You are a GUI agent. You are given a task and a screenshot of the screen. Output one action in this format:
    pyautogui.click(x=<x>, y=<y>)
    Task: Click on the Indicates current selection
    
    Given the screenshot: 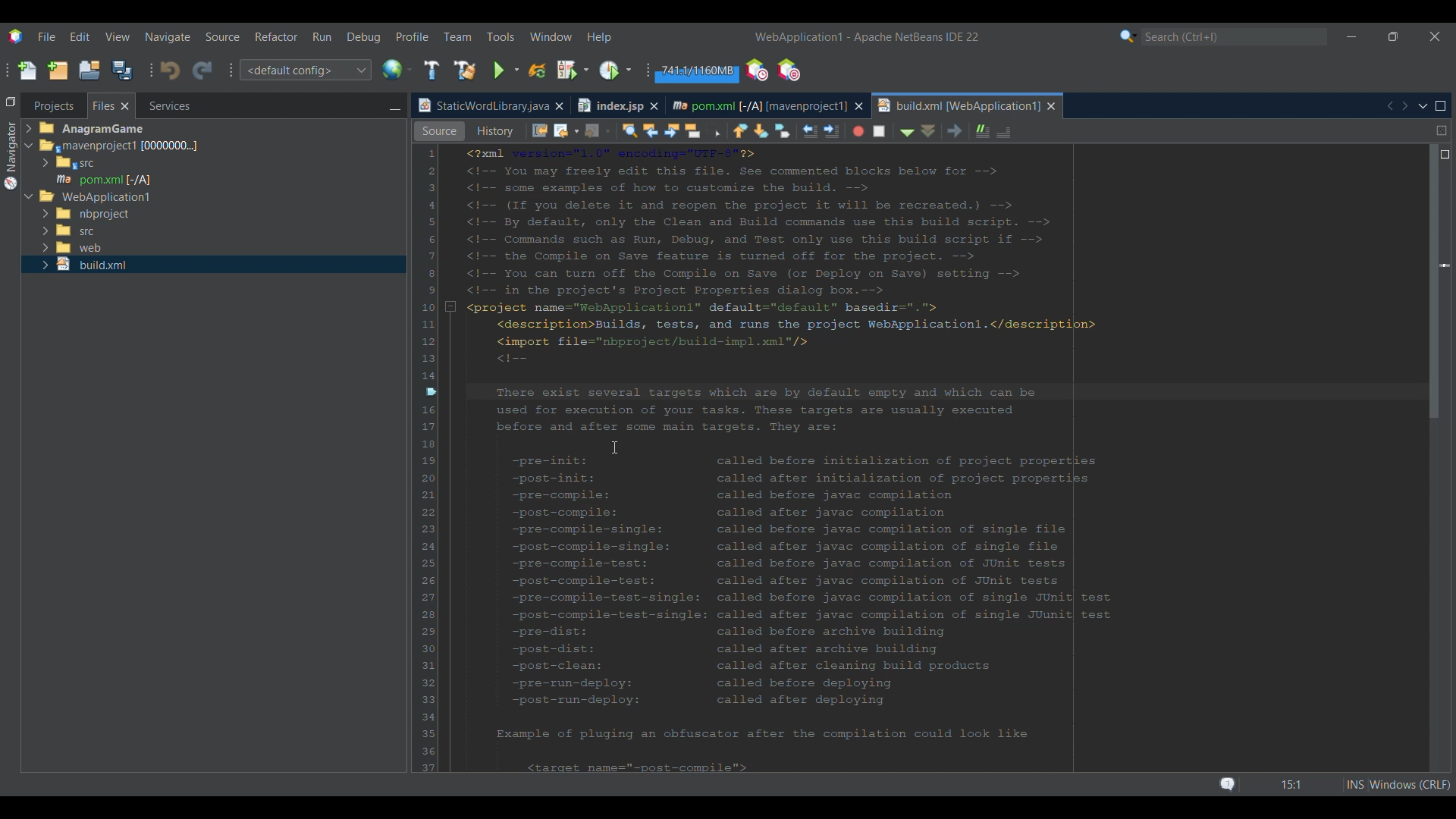 What is the action you would take?
    pyautogui.click(x=446, y=299)
    